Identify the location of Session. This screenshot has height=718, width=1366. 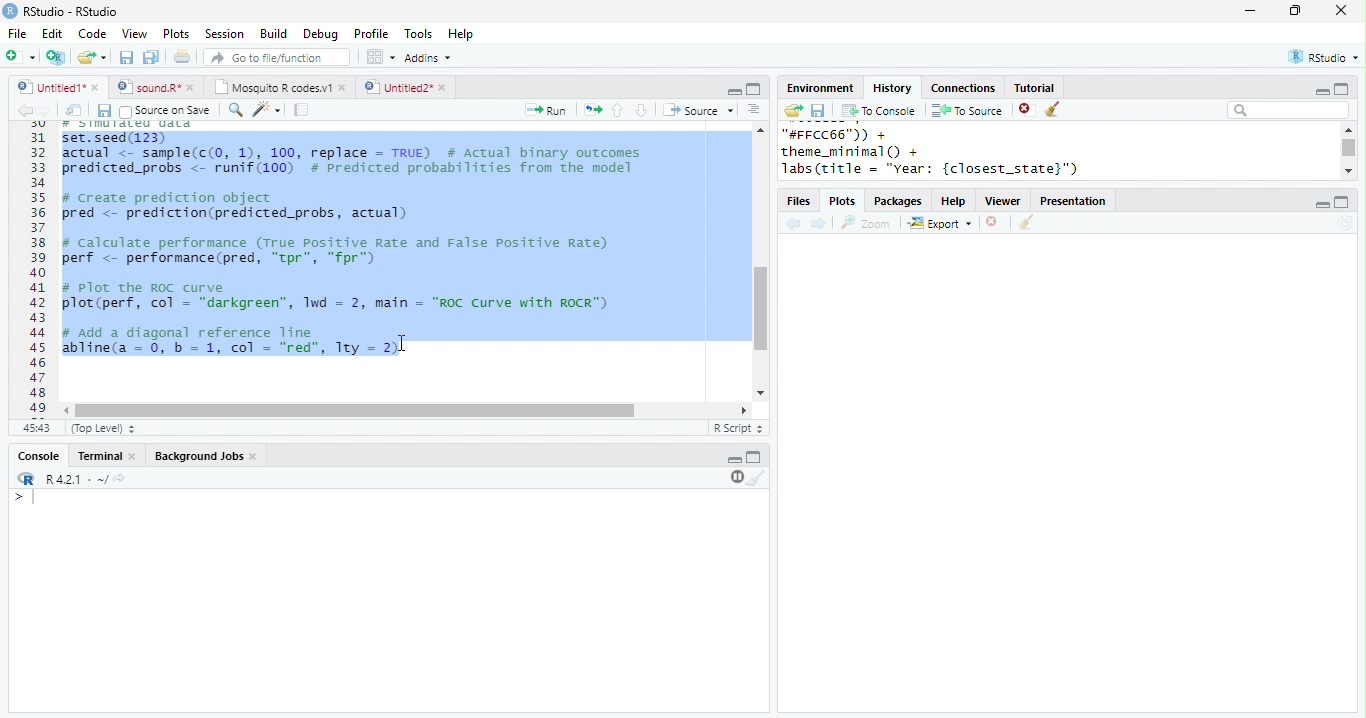
(224, 34).